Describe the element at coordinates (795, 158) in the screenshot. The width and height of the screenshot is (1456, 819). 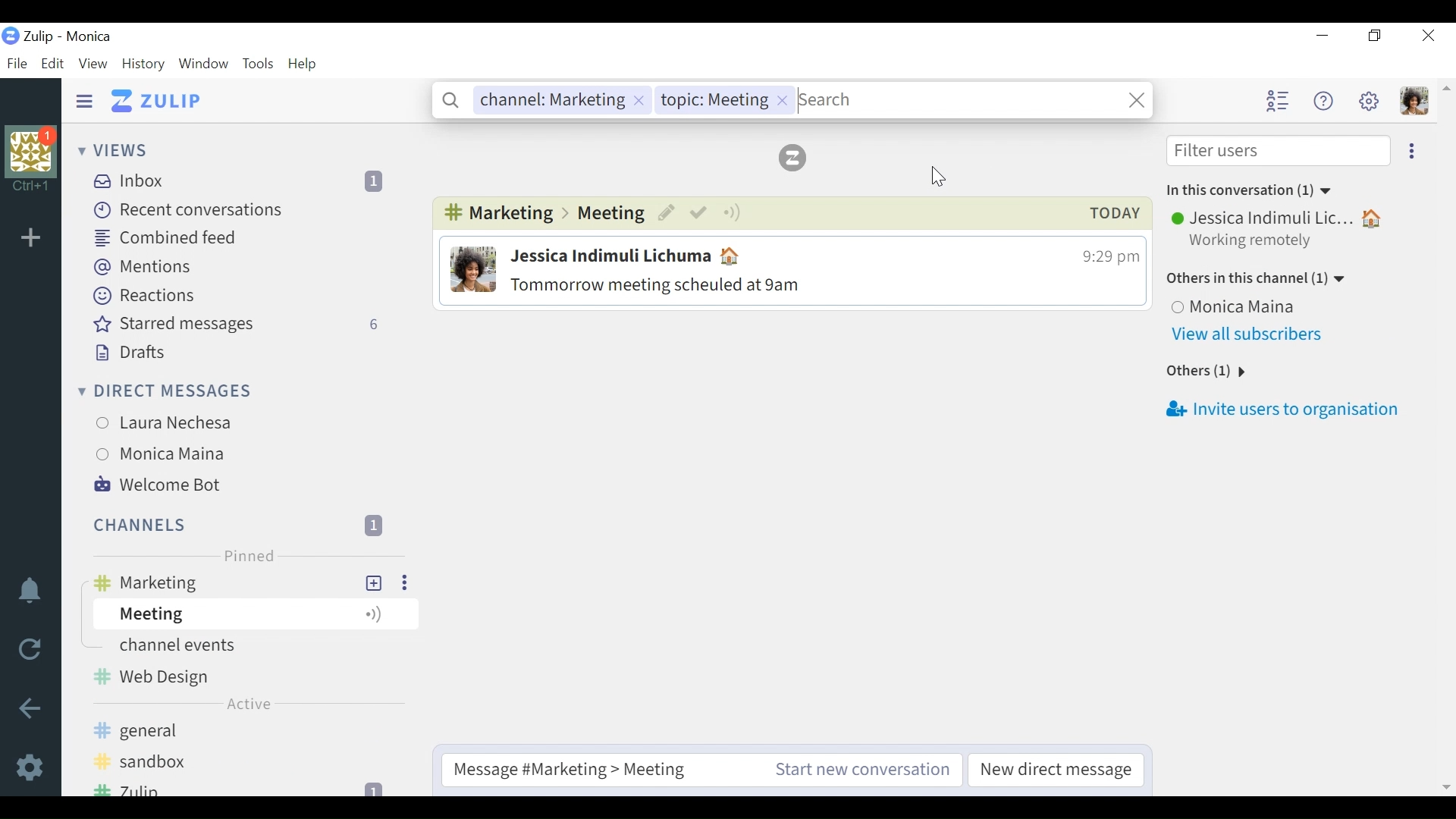
I see `Zulip` at that location.